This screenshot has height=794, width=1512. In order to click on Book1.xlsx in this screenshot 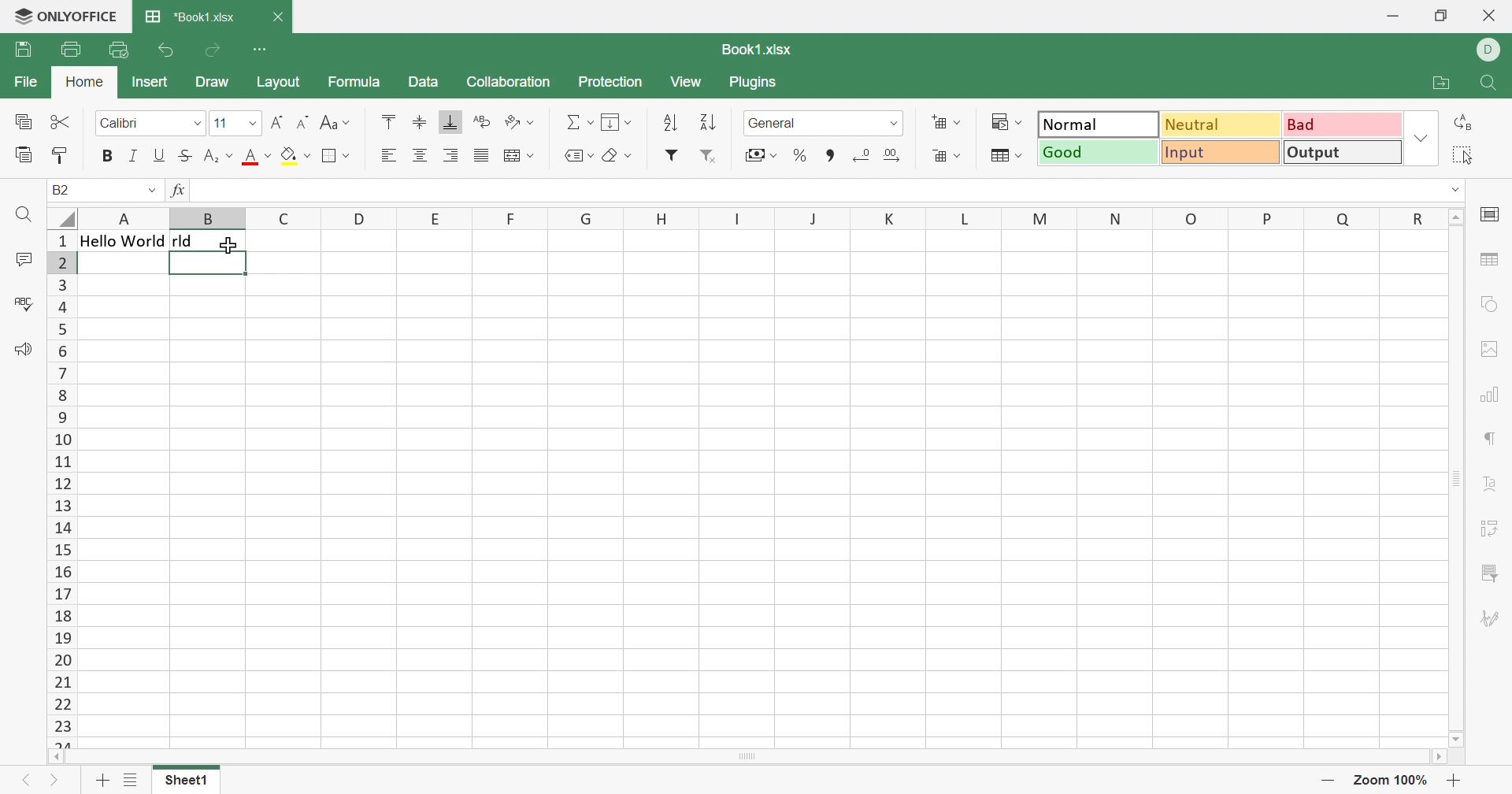, I will do `click(754, 48)`.